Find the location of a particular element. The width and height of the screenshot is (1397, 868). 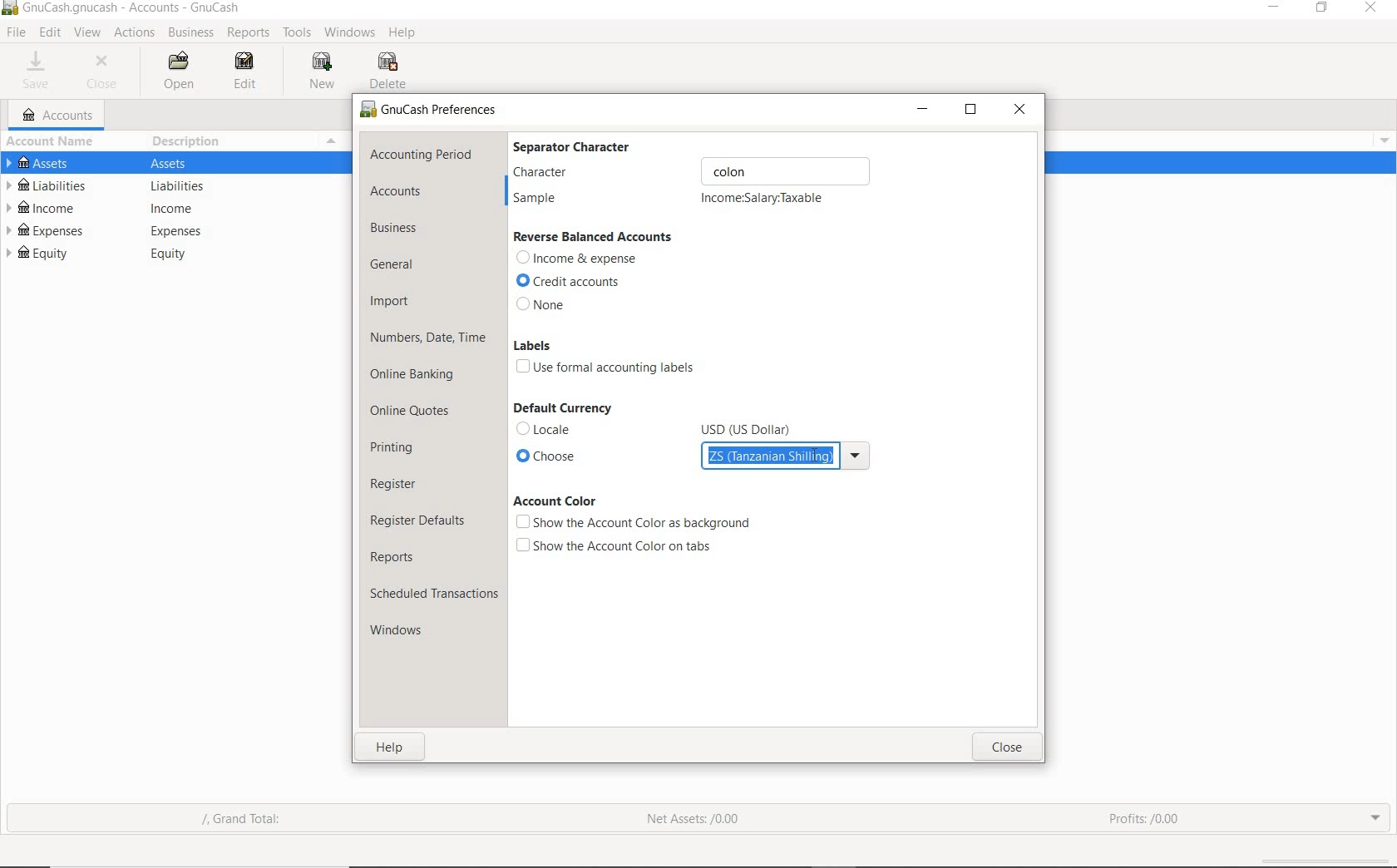

TOOLS is located at coordinates (295, 33).